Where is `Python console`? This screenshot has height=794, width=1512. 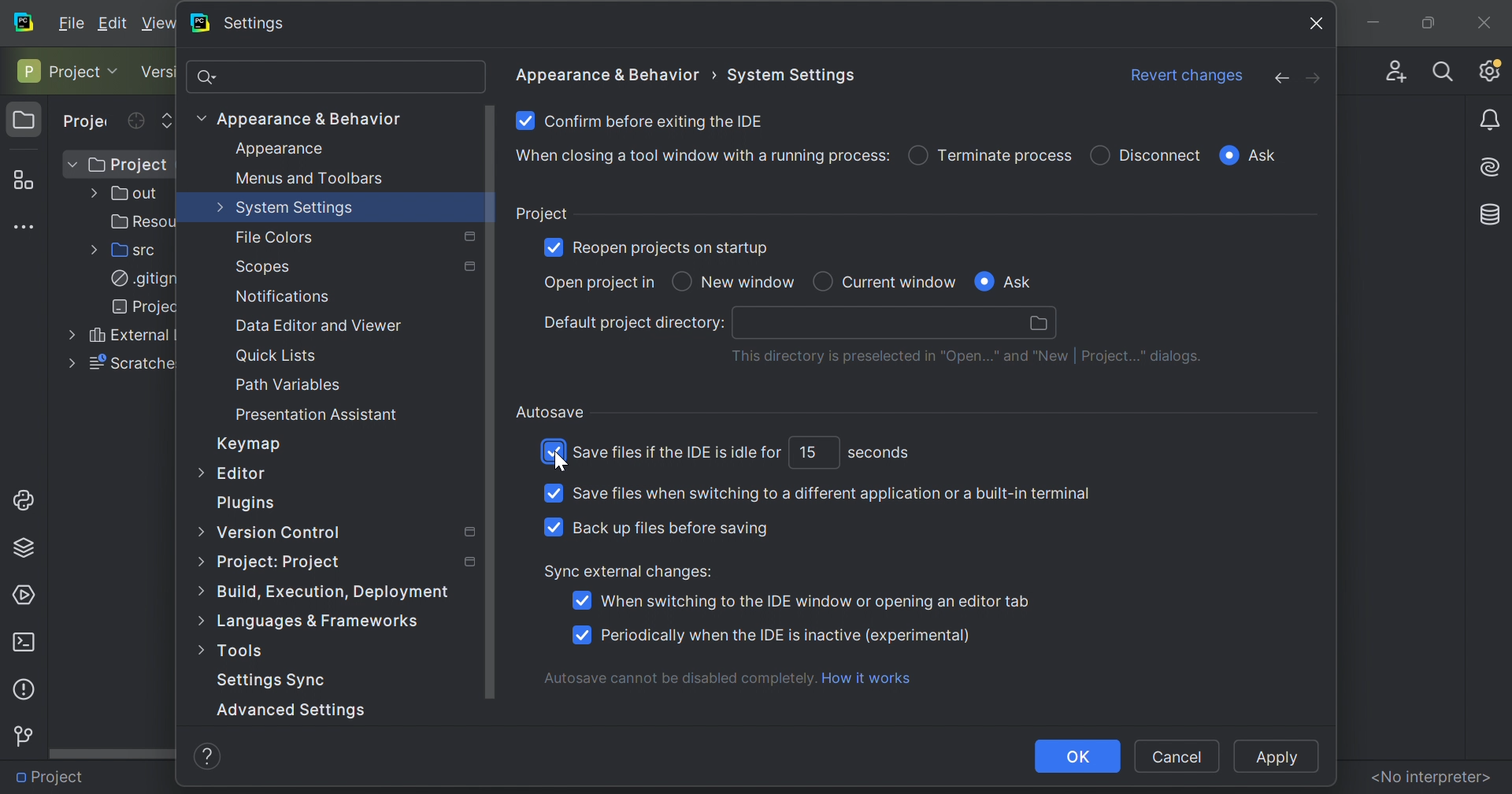 Python console is located at coordinates (27, 499).